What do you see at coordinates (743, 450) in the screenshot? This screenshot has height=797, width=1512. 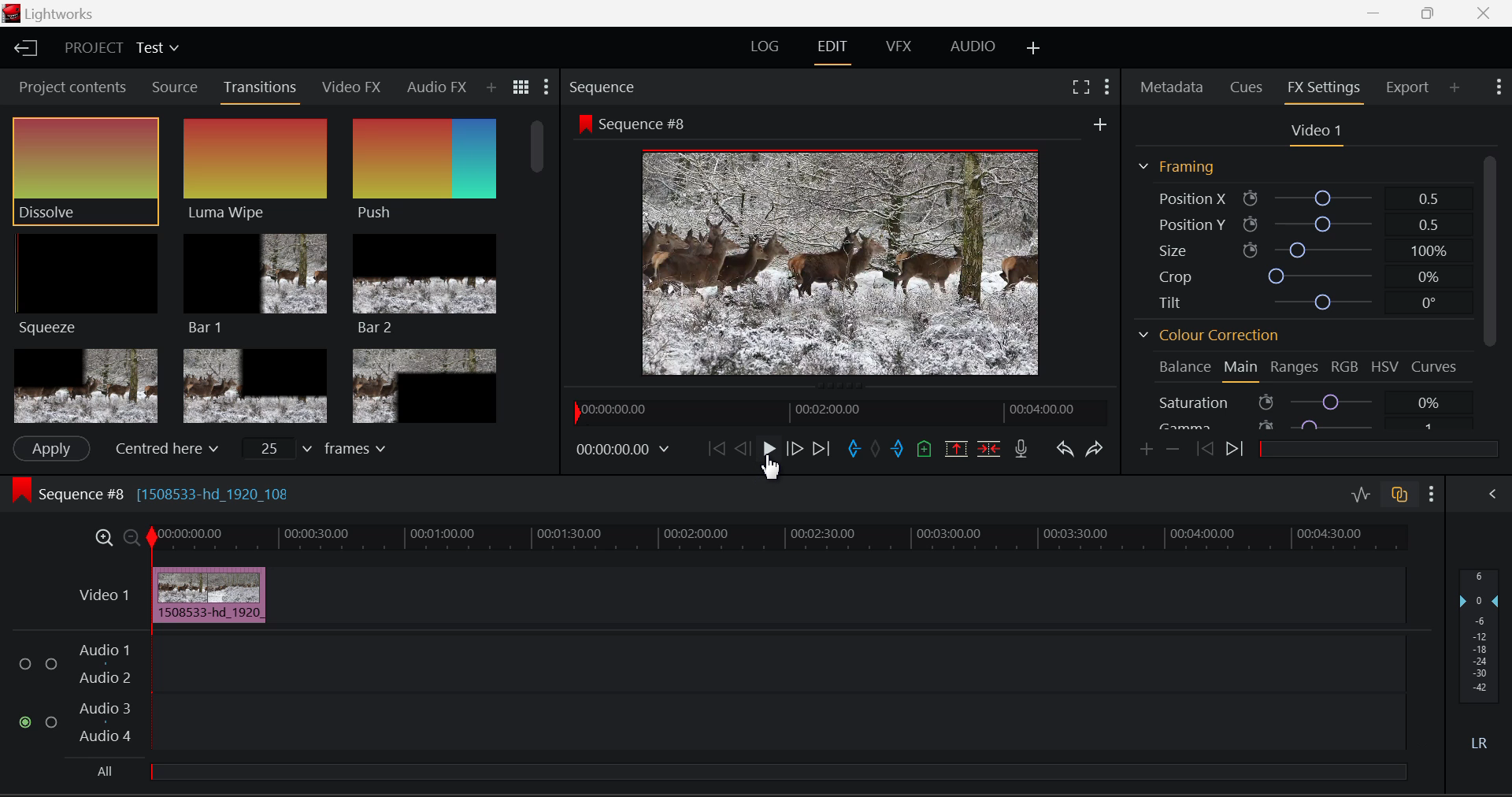 I see `Go Back` at bounding box center [743, 450].